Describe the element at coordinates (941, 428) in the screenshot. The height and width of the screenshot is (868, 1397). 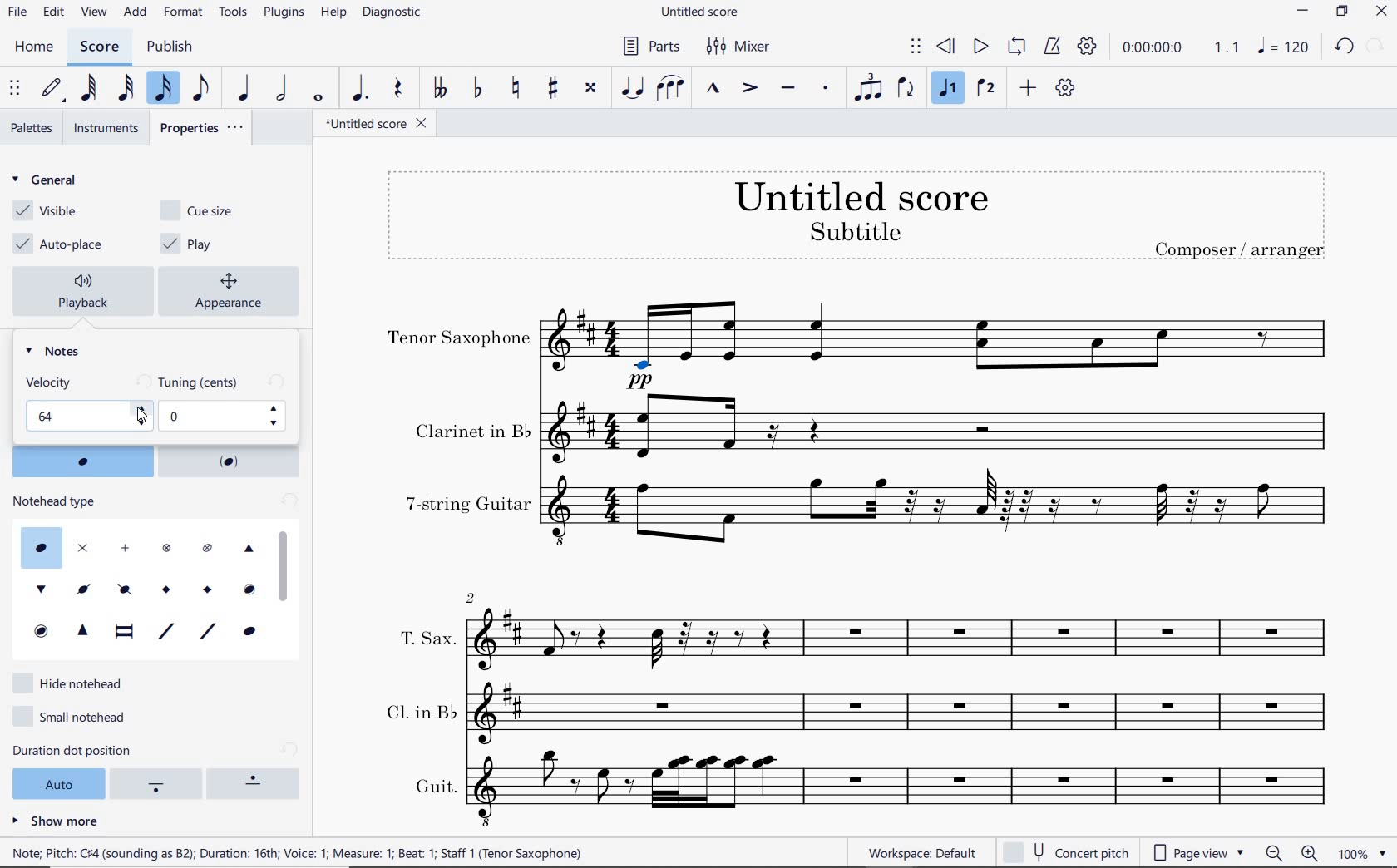
I see `clarinet in b` at that location.